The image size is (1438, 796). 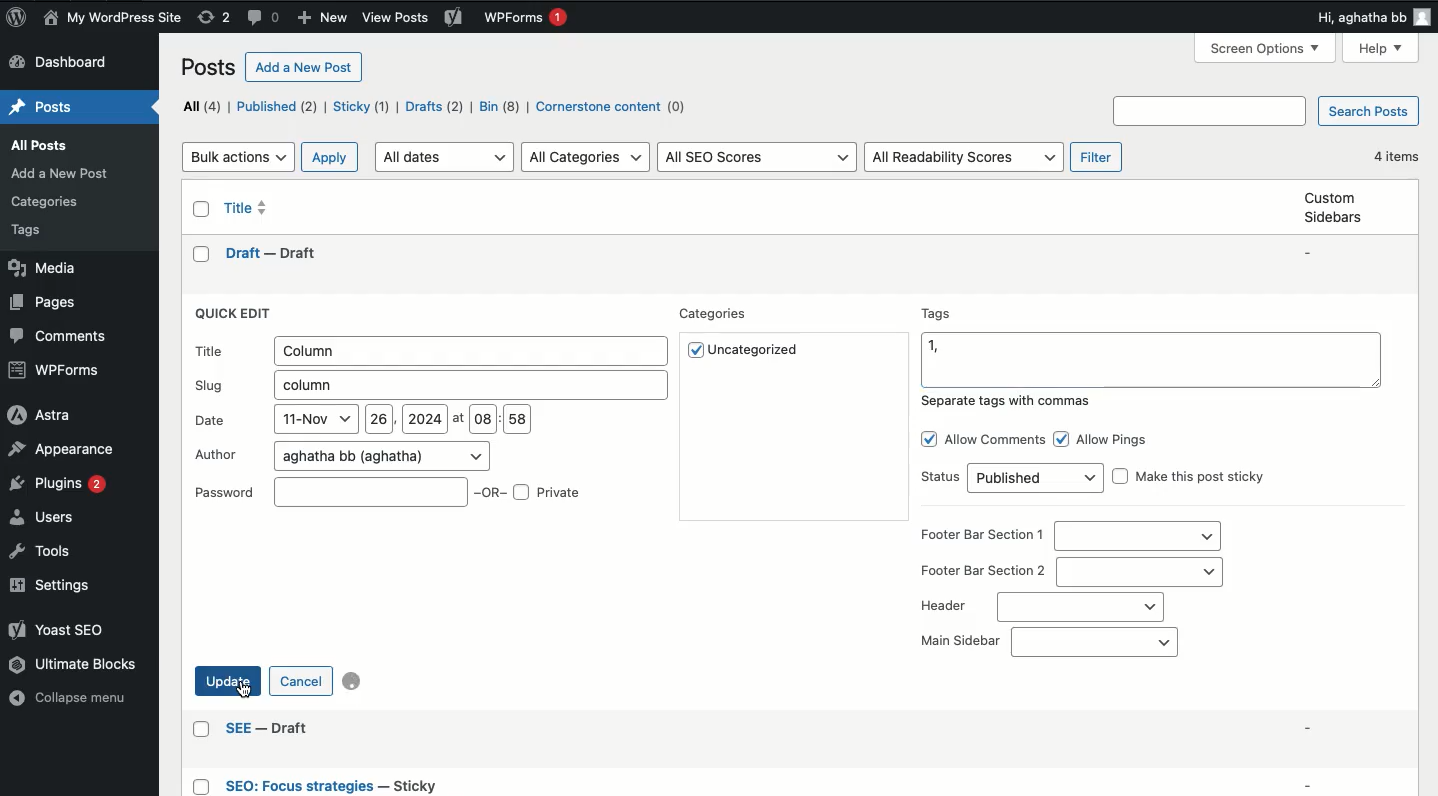 What do you see at coordinates (1069, 537) in the screenshot?
I see `Footer bar section 1` at bounding box center [1069, 537].